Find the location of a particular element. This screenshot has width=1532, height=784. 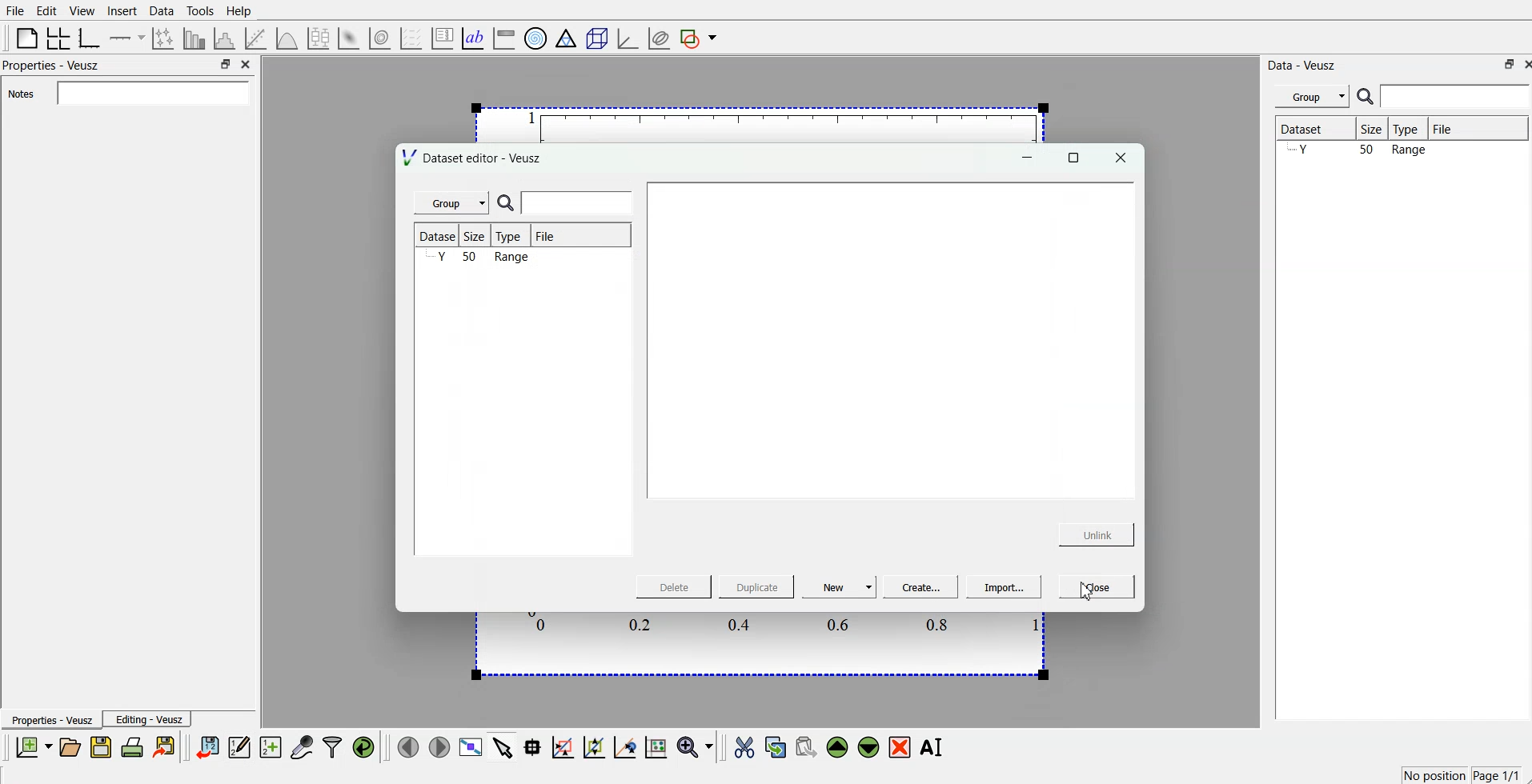

Dataset is located at coordinates (433, 236).